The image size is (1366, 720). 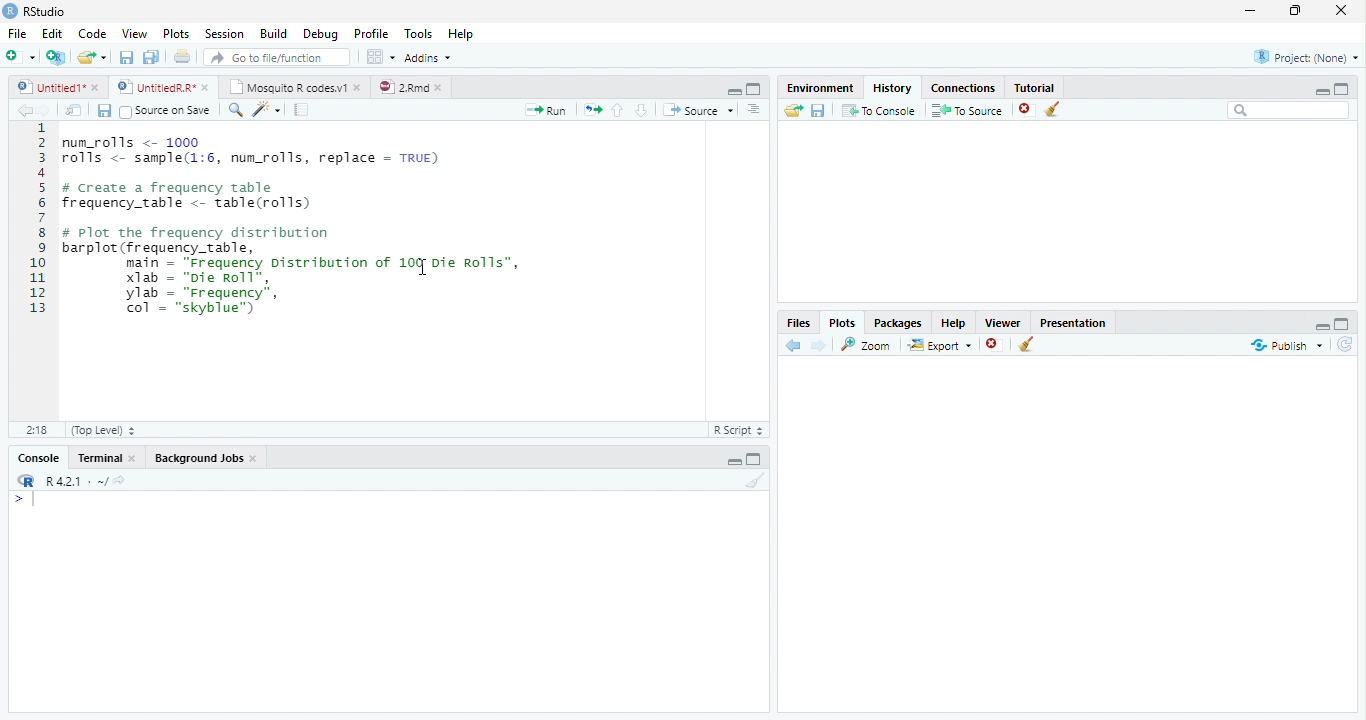 I want to click on Profile, so click(x=374, y=33).